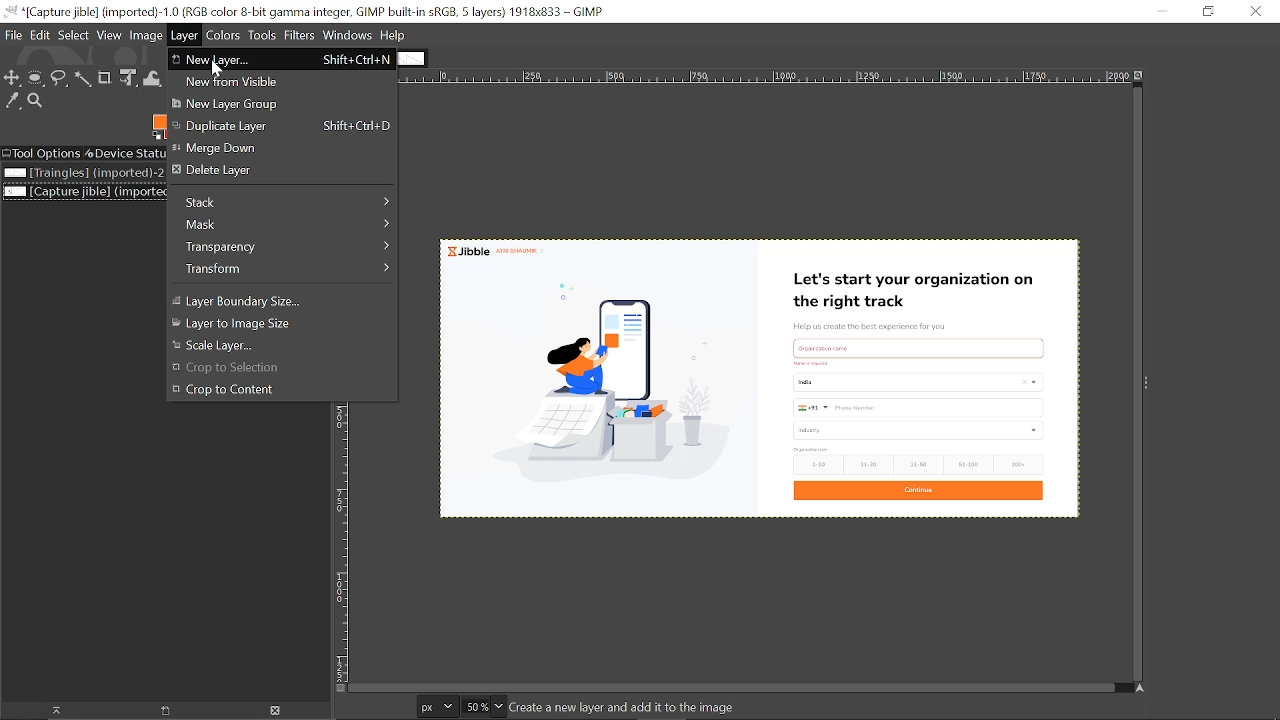  Describe the element at coordinates (271, 711) in the screenshot. I see `Delete image` at that location.